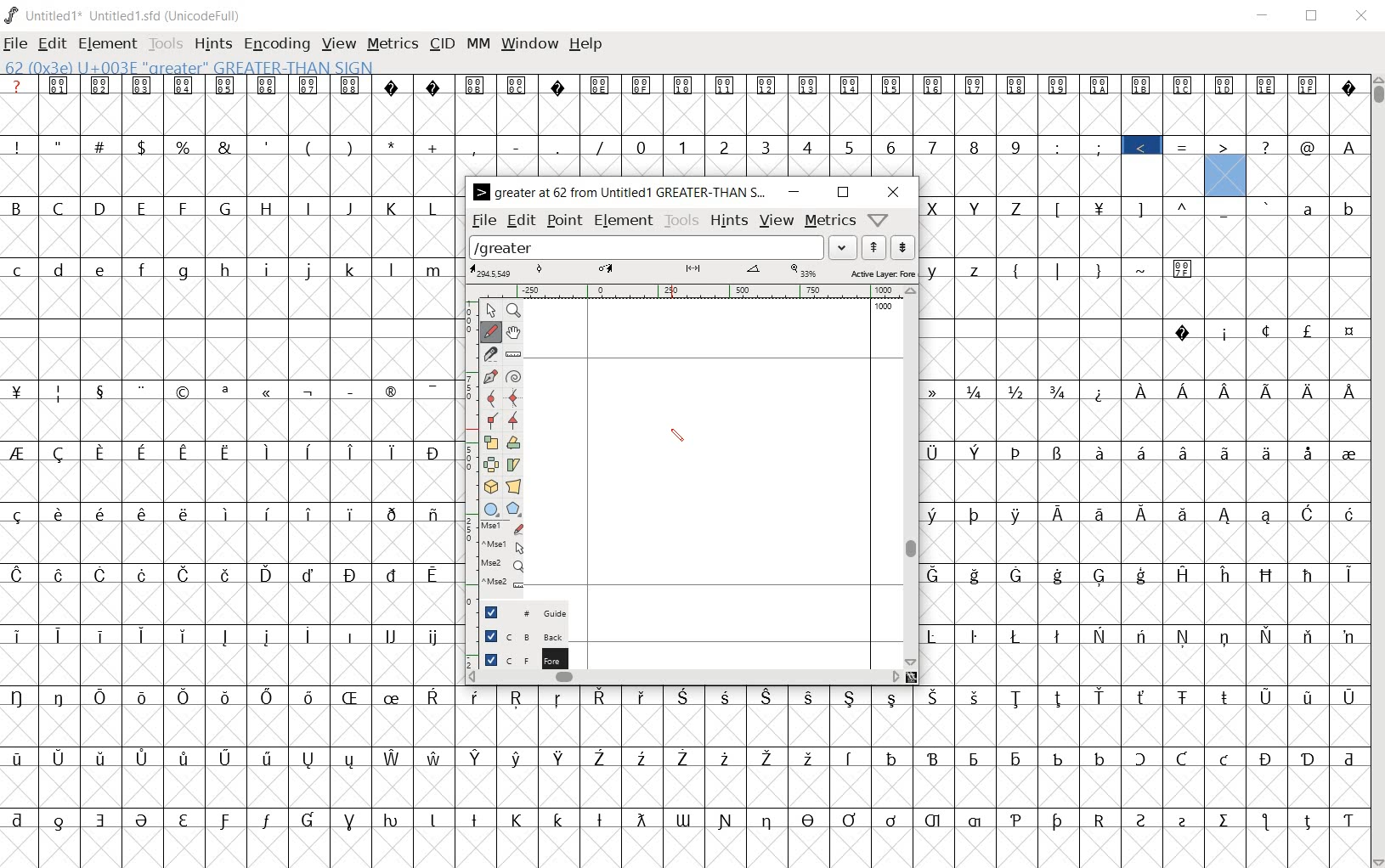  I want to click on glyph characters, so click(913, 777).